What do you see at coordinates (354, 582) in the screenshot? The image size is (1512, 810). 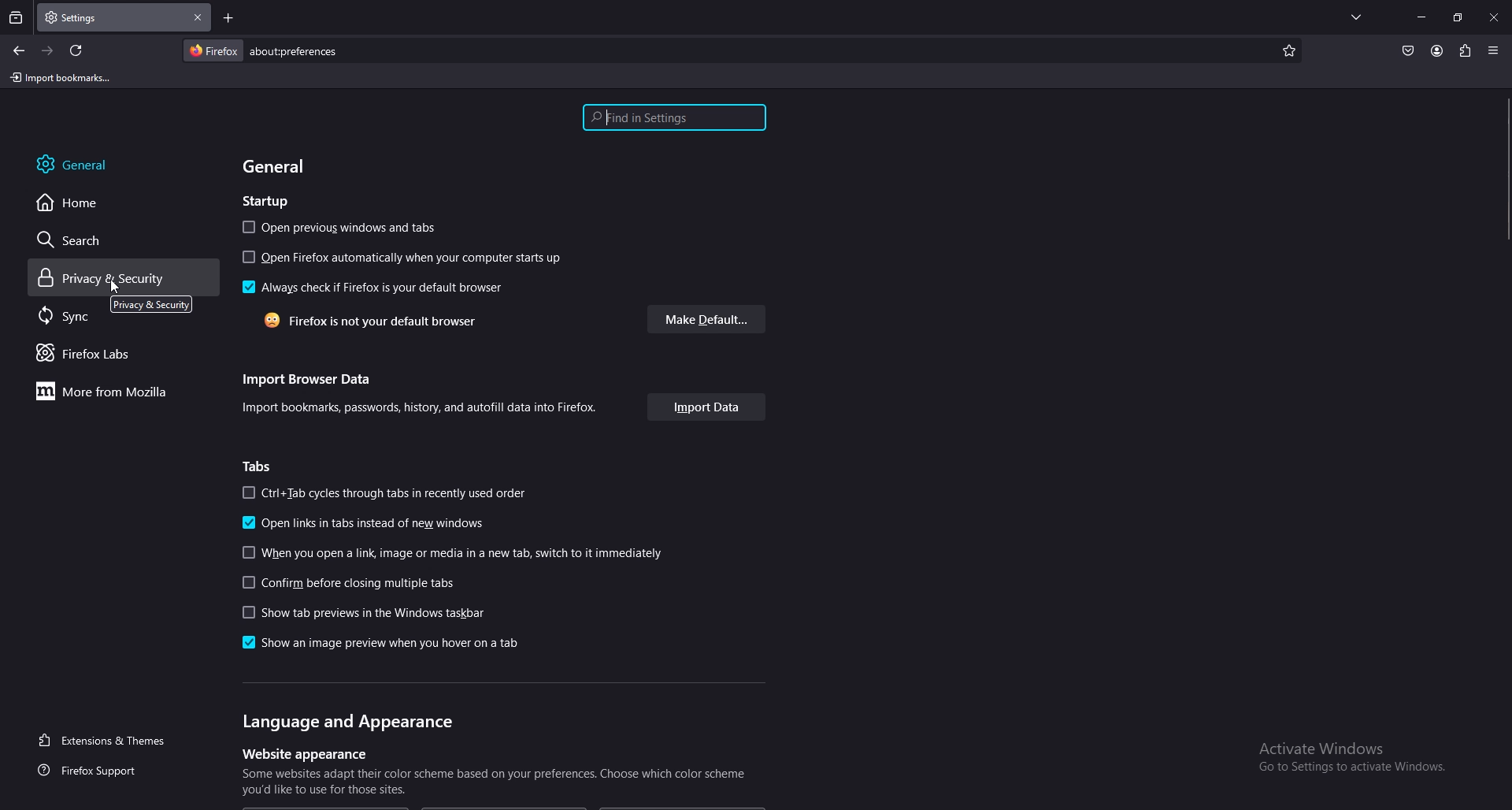 I see `confirm before closing multiple tabs` at bounding box center [354, 582].